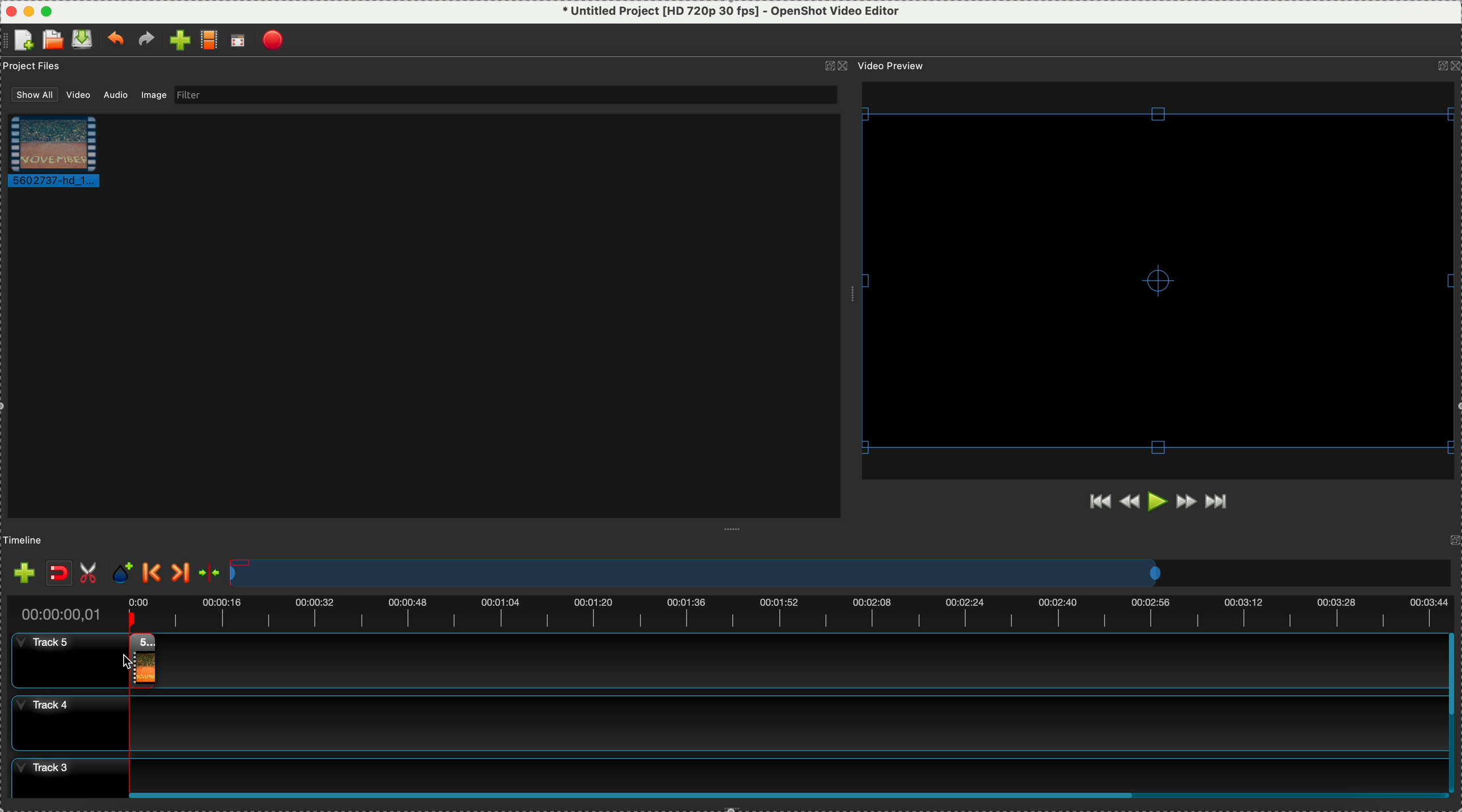 The width and height of the screenshot is (1462, 812). What do you see at coordinates (1129, 504) in the screenshot?
I see `rewind` at bounding box center [1129, 504].